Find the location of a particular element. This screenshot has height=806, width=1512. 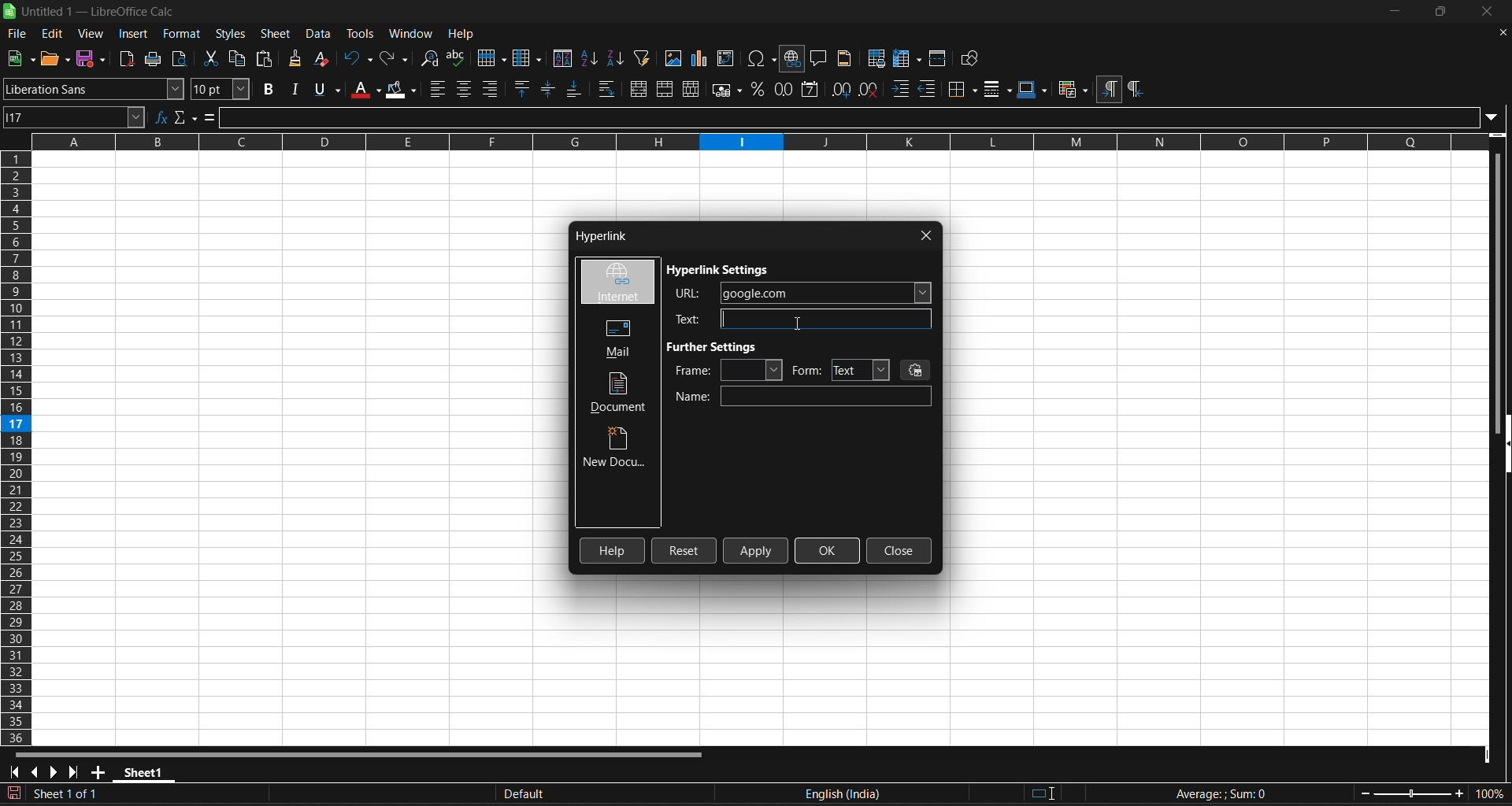

text is located at coordinates (798, 319).